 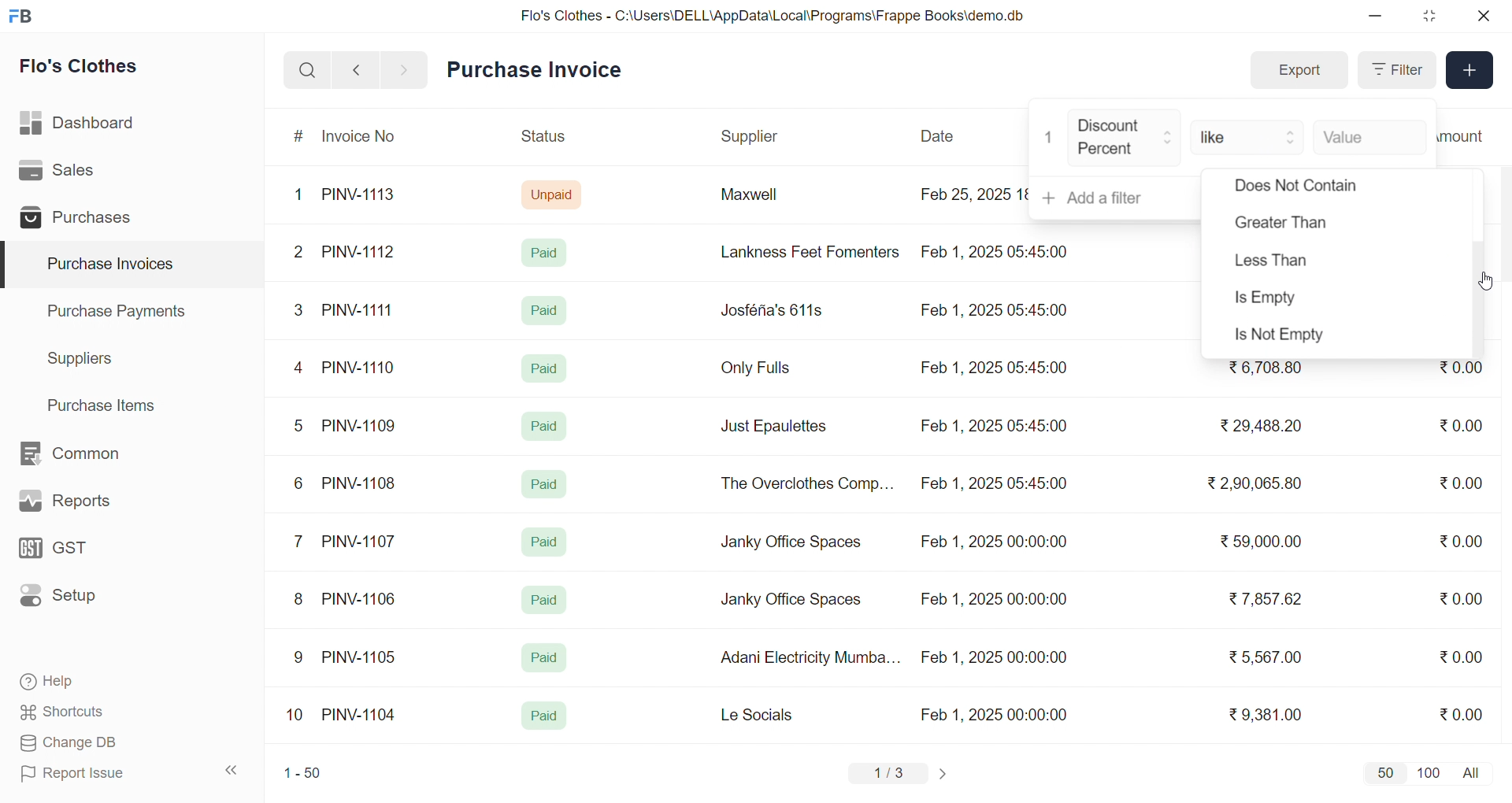 What do you see at coordinates (1474, 772) in the screenshot?
I see `all` at bounding box center [1474, 772].